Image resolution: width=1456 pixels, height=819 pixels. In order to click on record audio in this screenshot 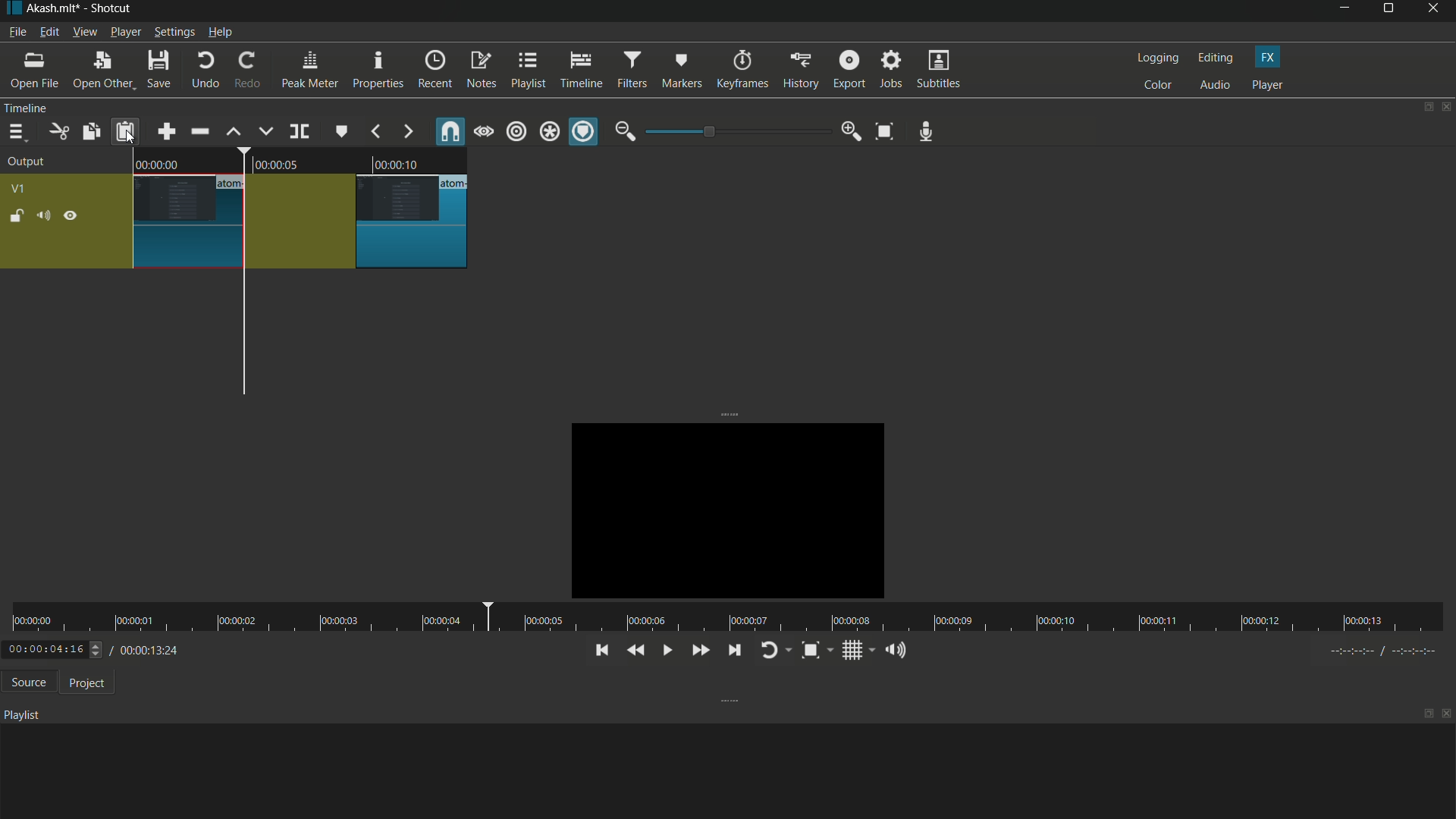, I will do `click(927, 132)`.